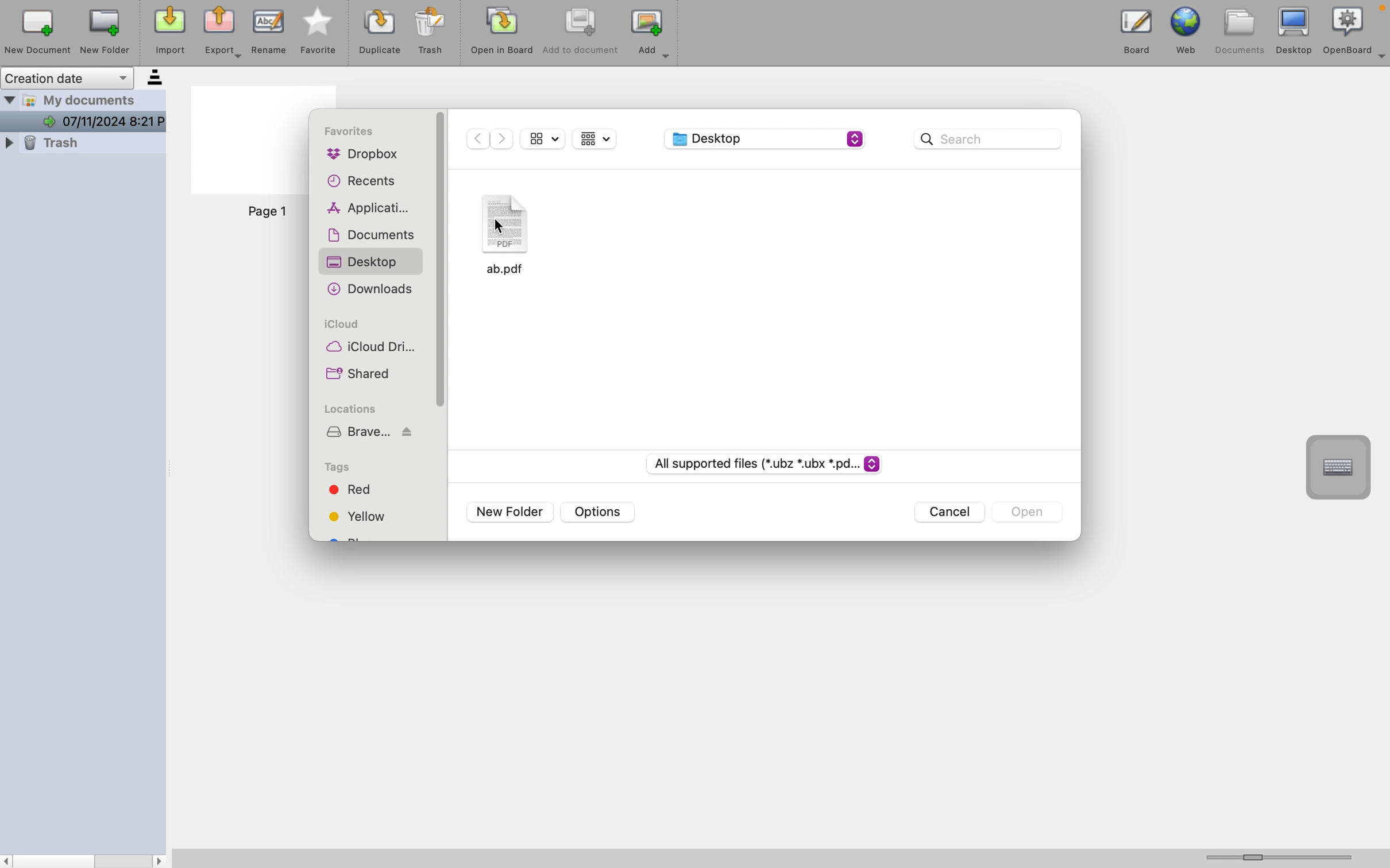  What do you see at coordinates (319, 33) in the screenshot?
I see `favourite` at bounding box center [319, 33].